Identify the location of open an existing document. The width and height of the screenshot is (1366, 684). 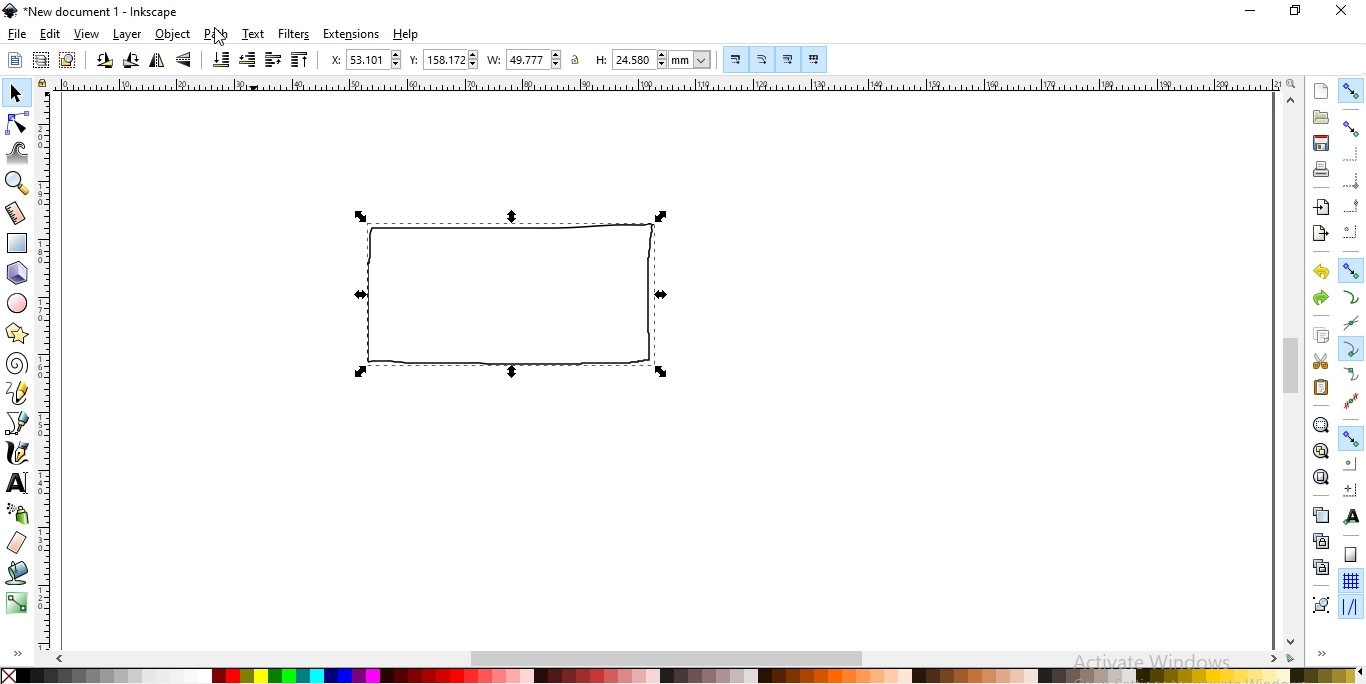
(1321, 118).